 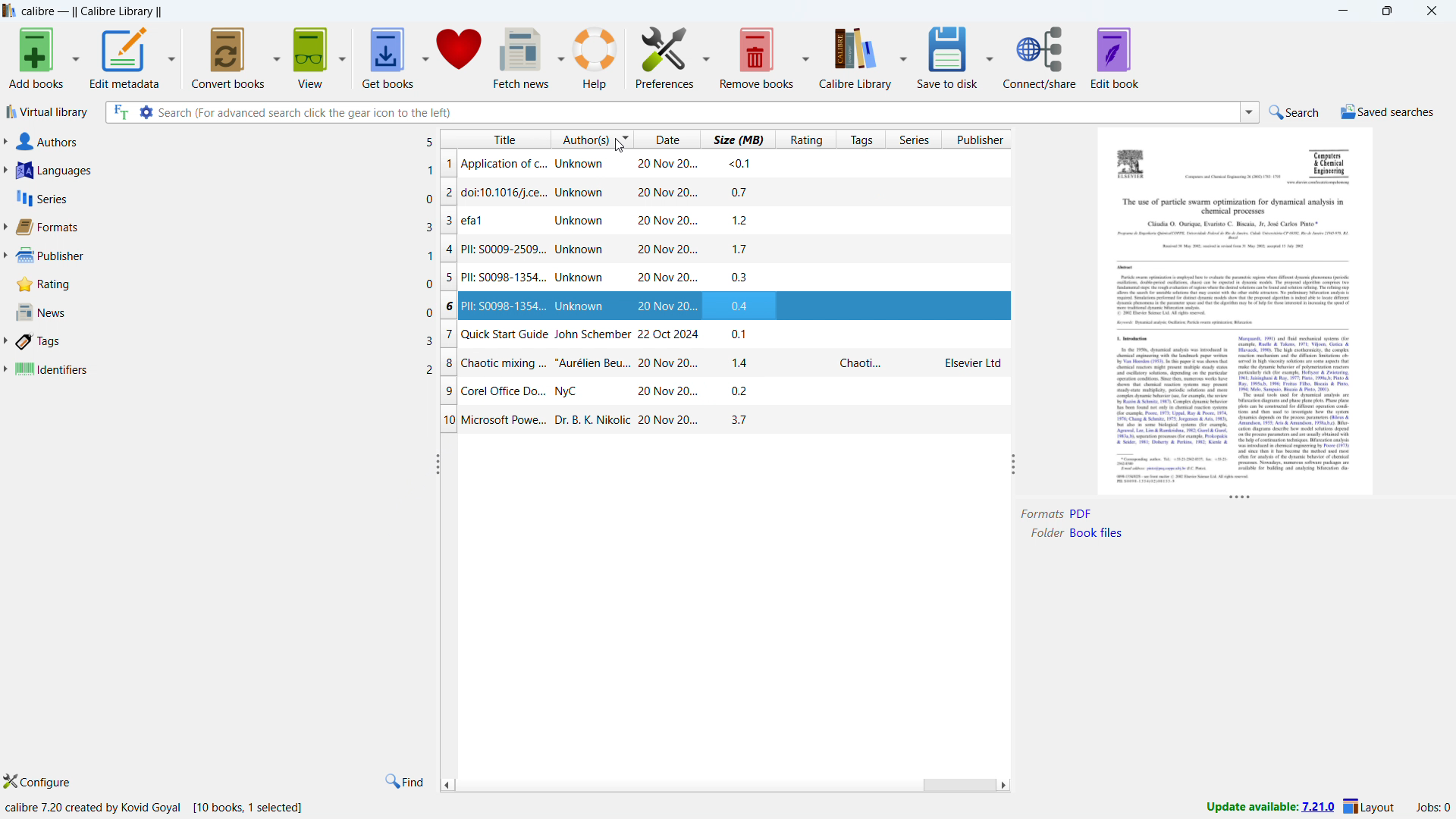 What do you see at coordinates (744, 221) in the screenshot?
I see `1.2` at bounding box center [744, 221].